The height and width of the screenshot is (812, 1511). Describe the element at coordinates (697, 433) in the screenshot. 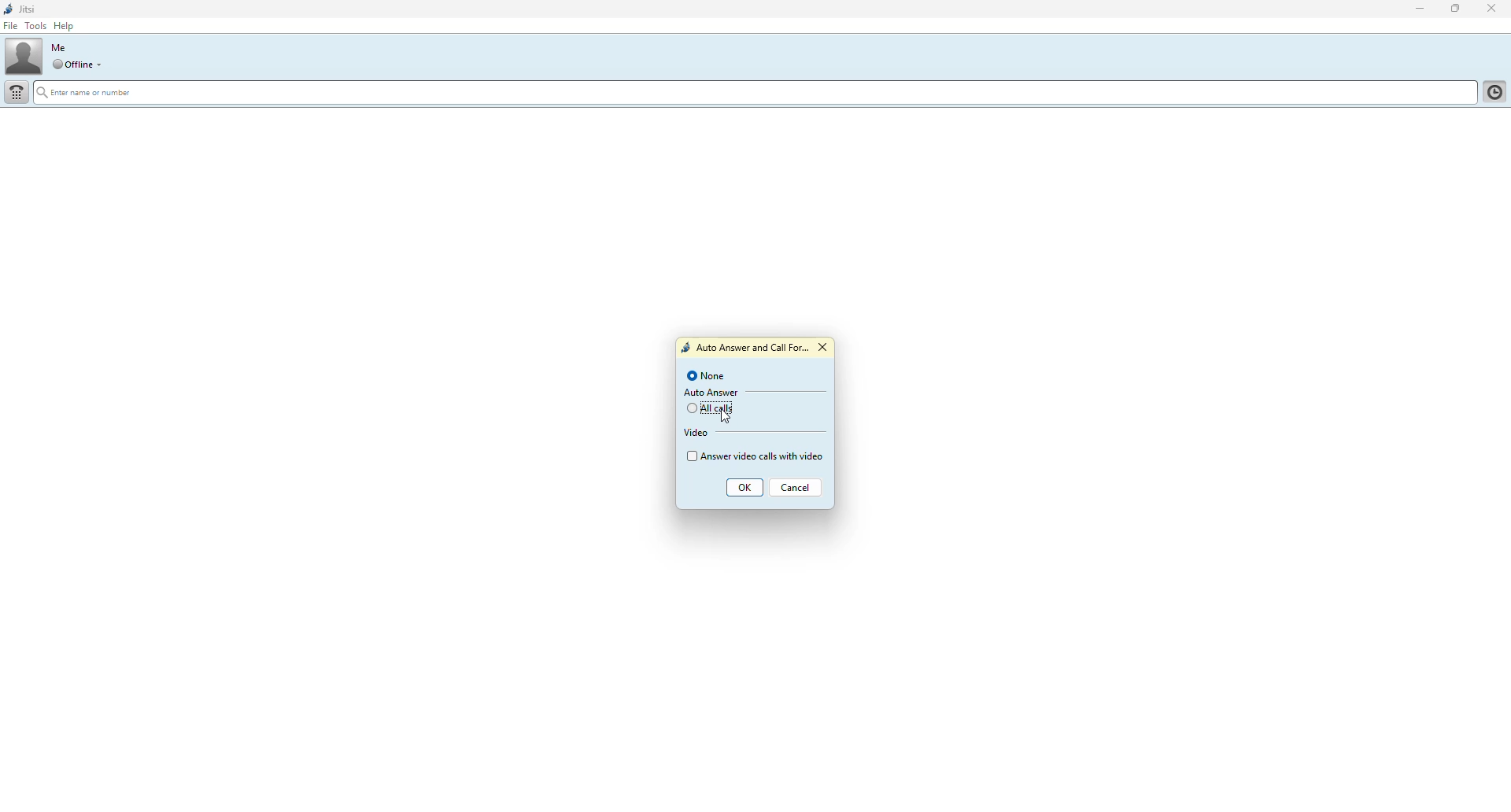

I see `video` at that location.